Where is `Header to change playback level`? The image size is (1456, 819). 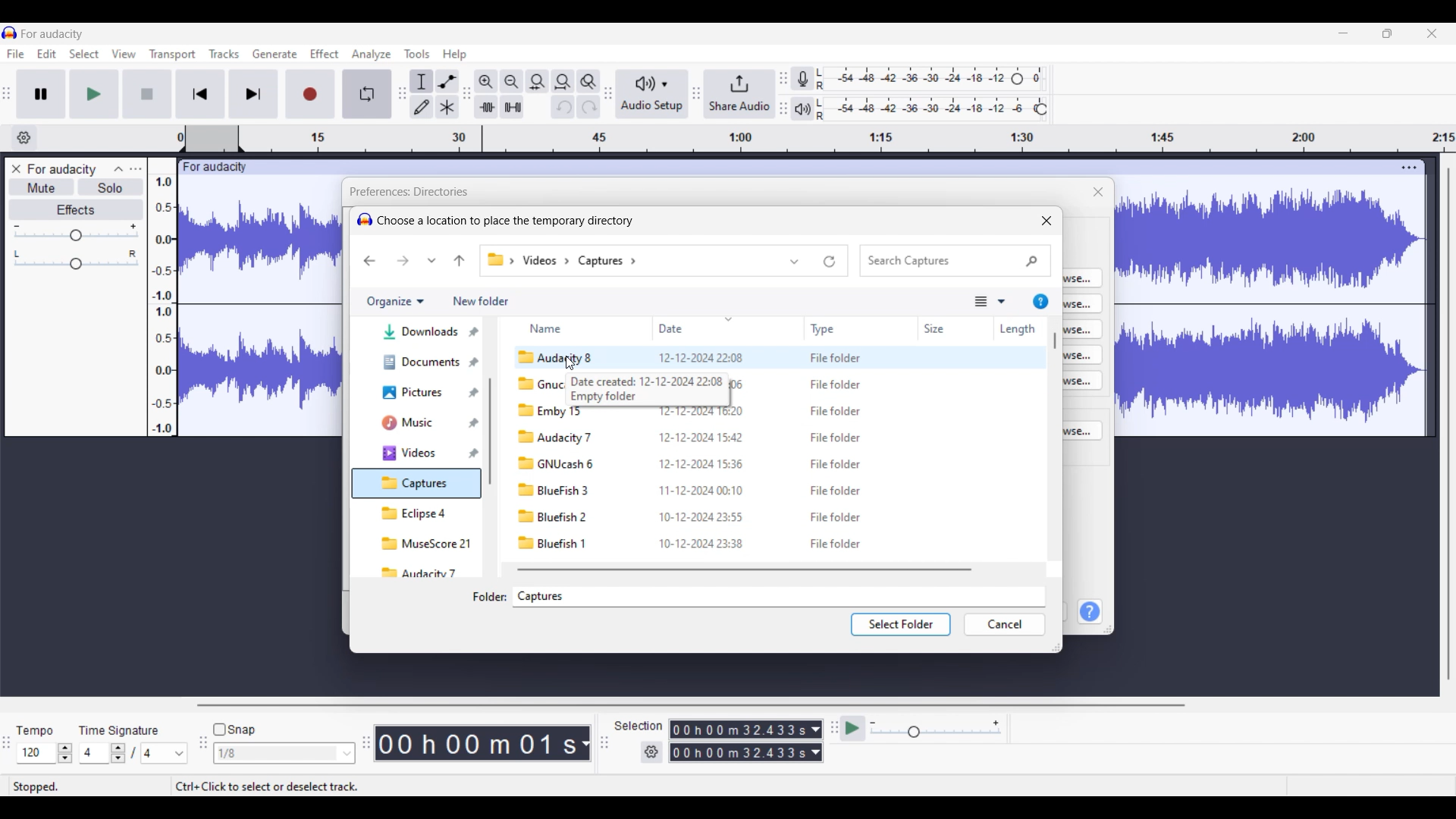 Header to change playback level is located at coordinates (1042, 109).